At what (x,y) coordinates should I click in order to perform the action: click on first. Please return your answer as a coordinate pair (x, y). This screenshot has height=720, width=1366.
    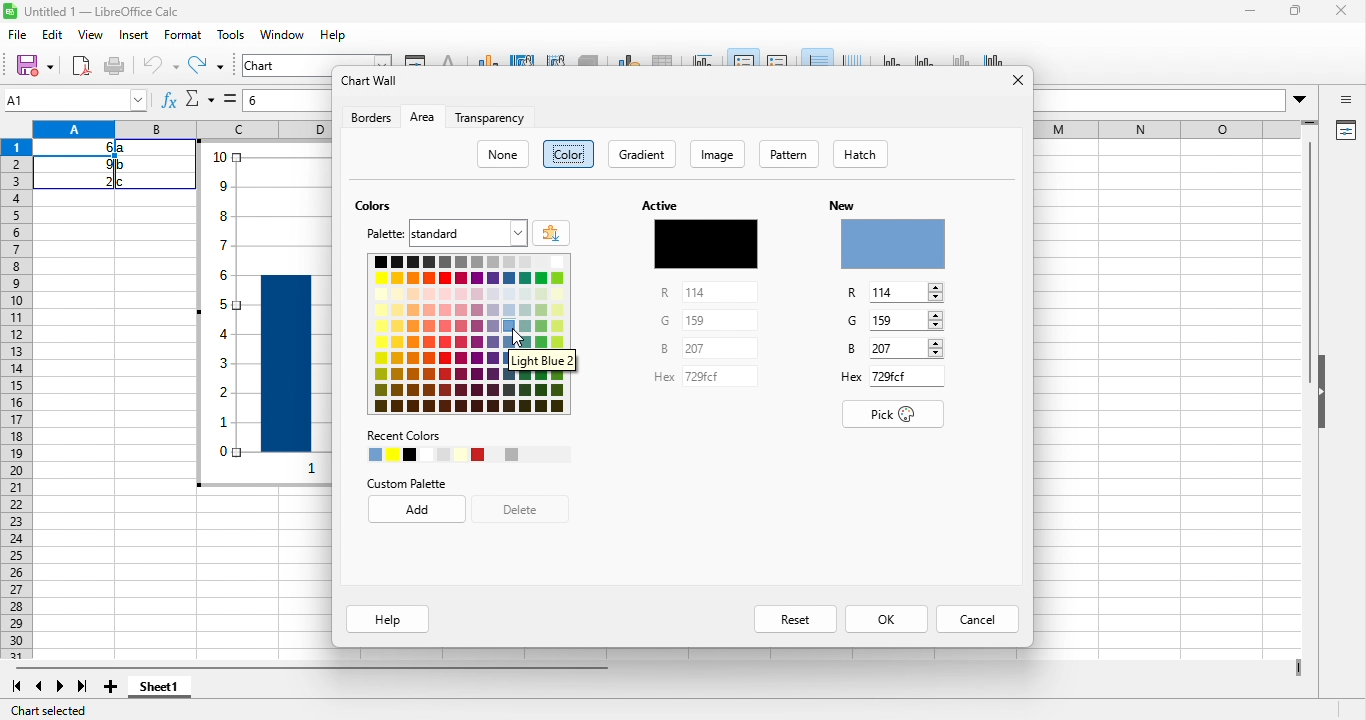
    Looking at the image, I should click on (21, 688).